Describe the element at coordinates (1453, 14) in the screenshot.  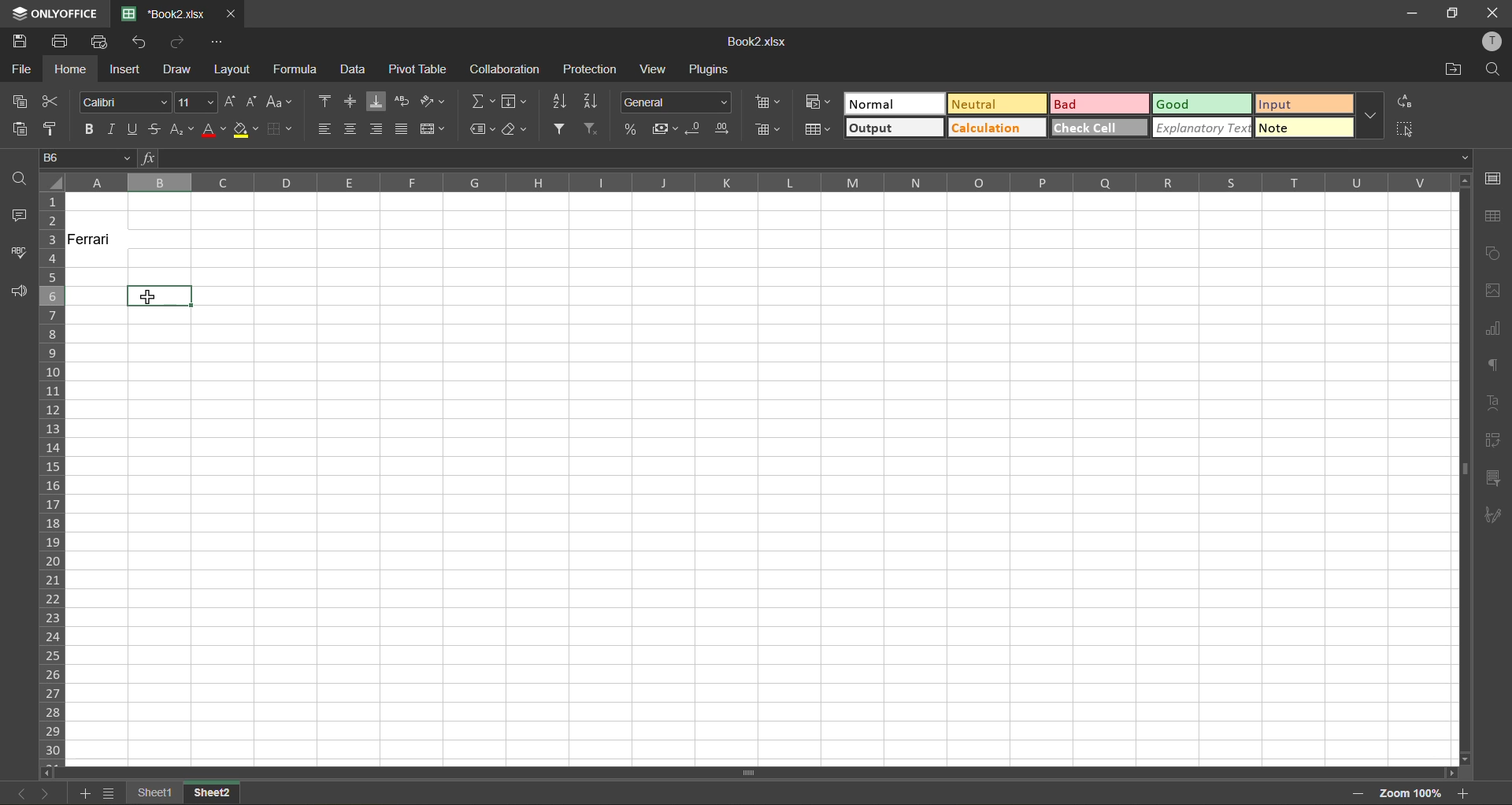
I see `maximize` at that location.